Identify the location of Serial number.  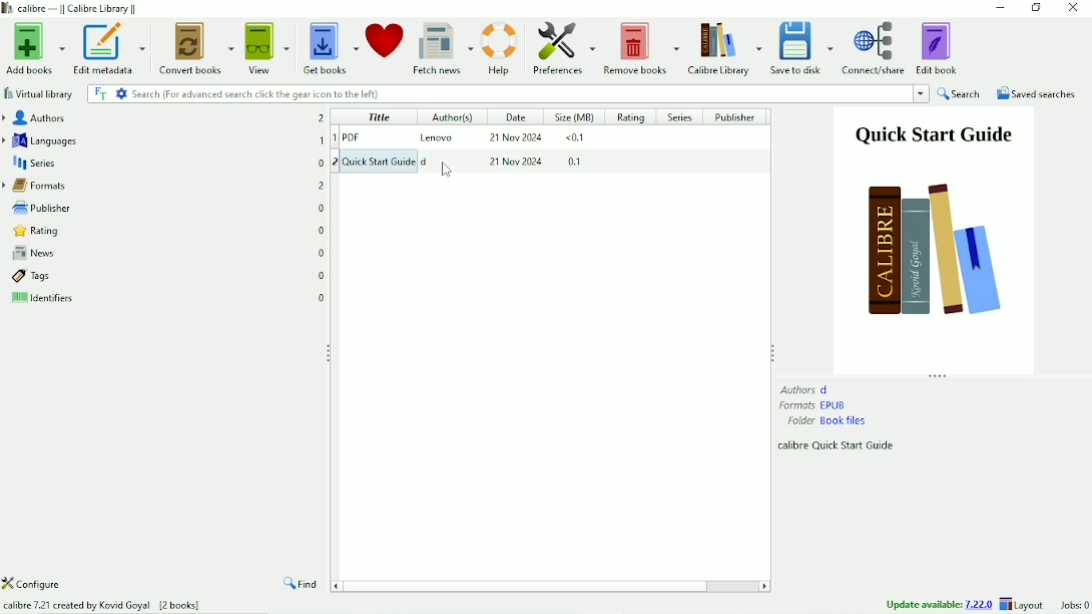
(333, 146).